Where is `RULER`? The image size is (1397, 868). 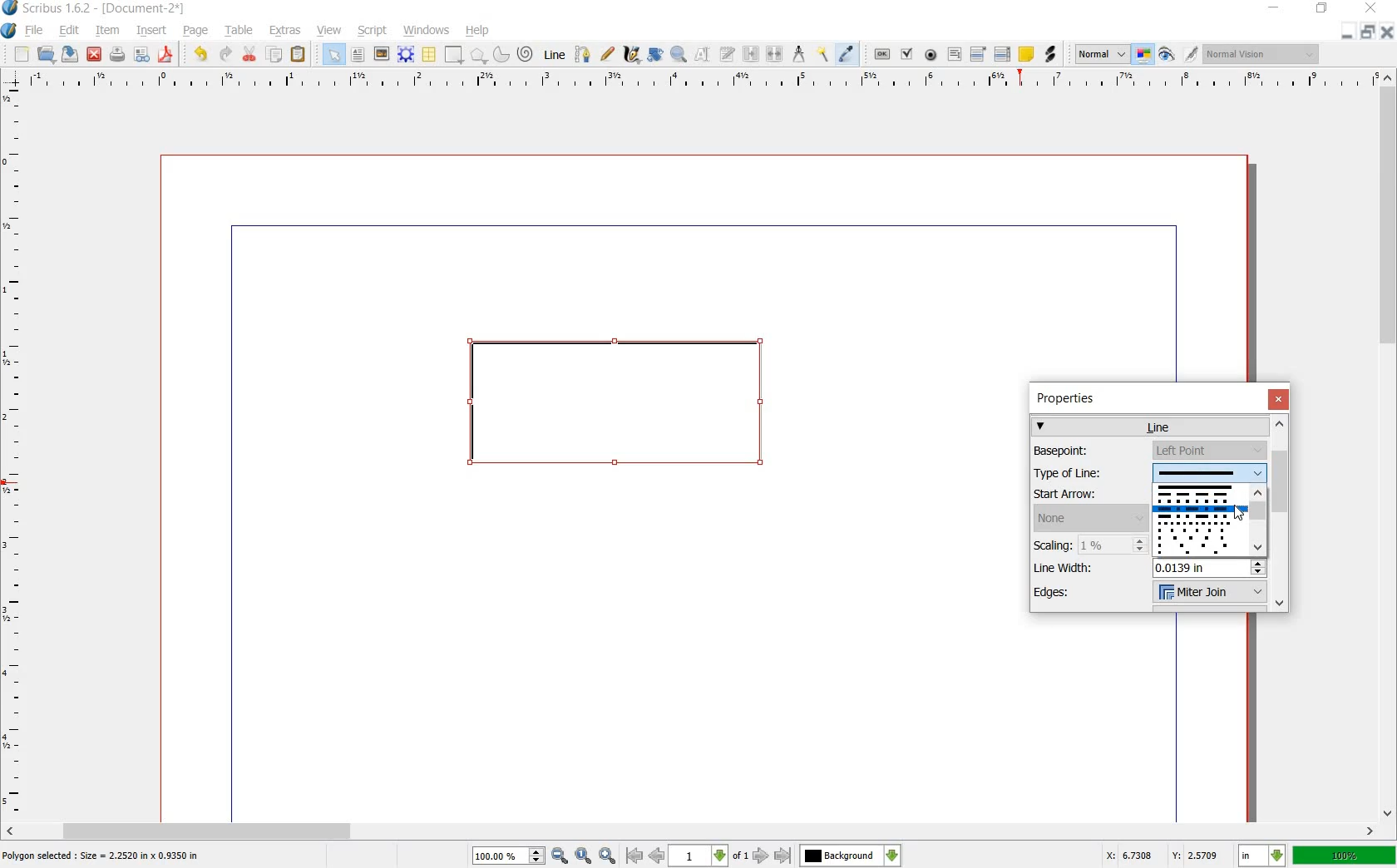
RULER is located at coordinates (700, 81).